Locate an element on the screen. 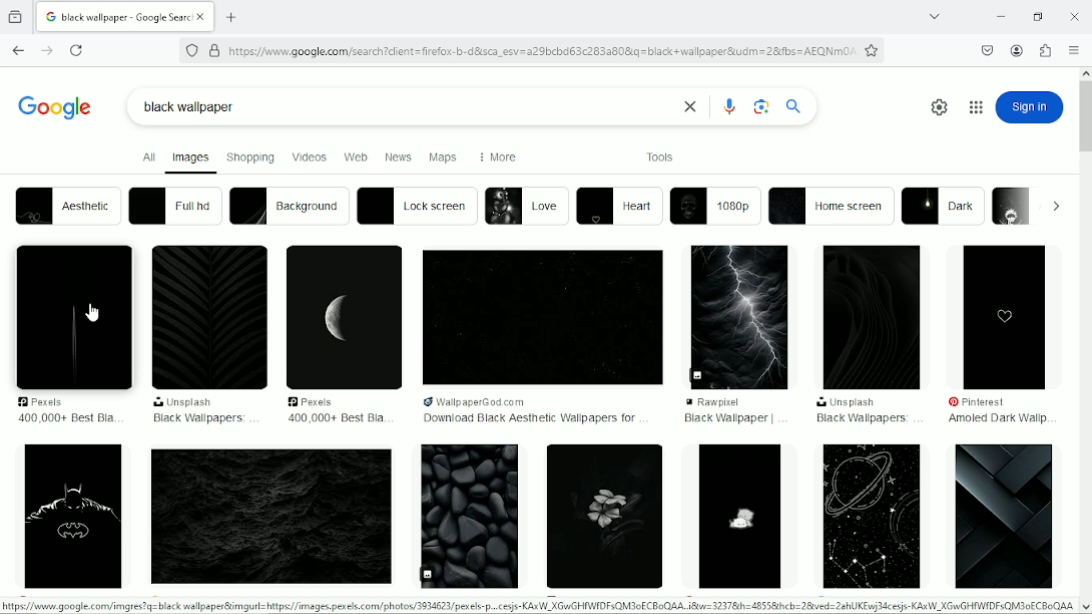 The image size is (1092, 614). save to pocket is located at coordinates (986, 49).